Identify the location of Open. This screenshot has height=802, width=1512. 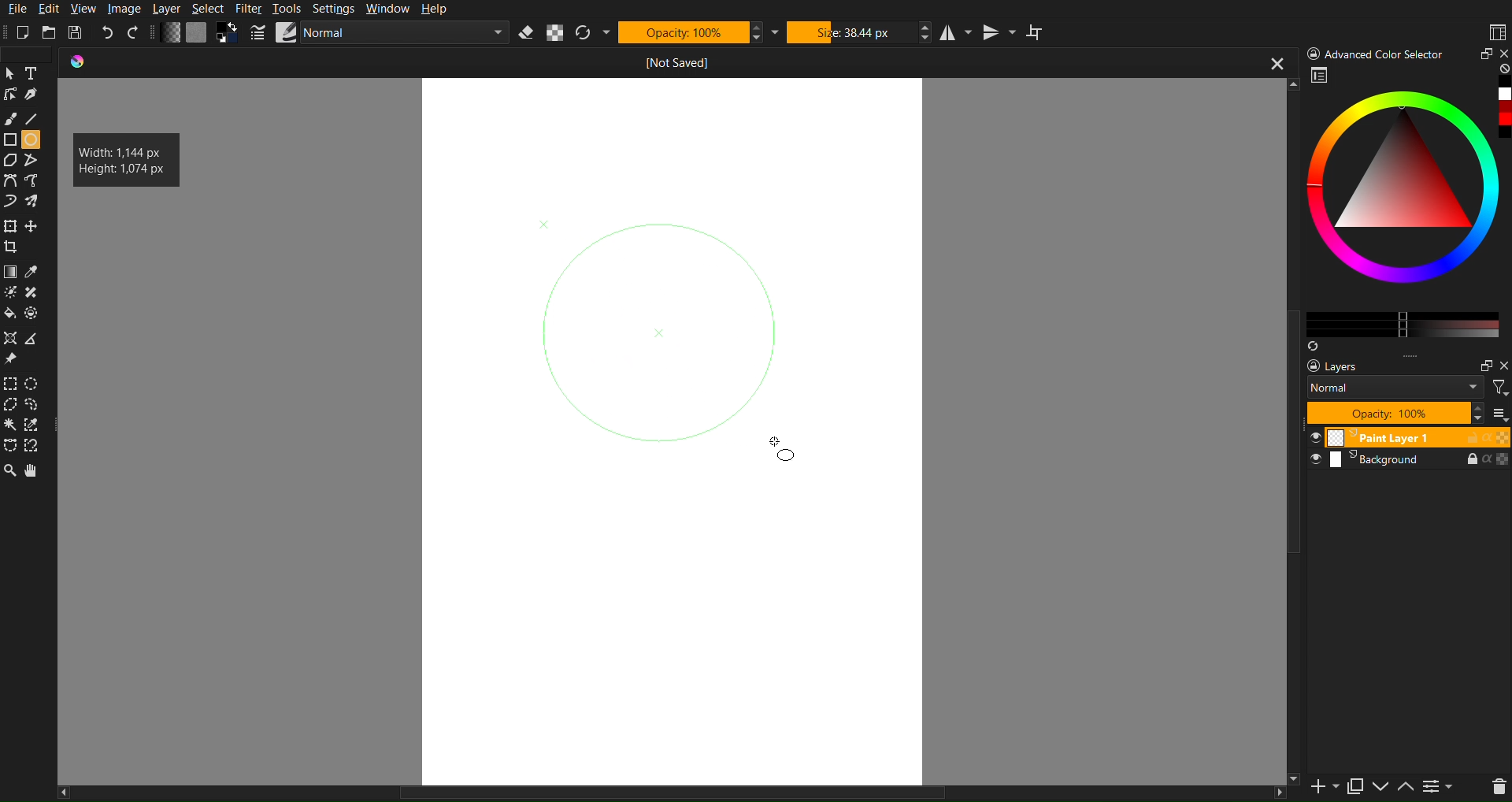
(54, 31).